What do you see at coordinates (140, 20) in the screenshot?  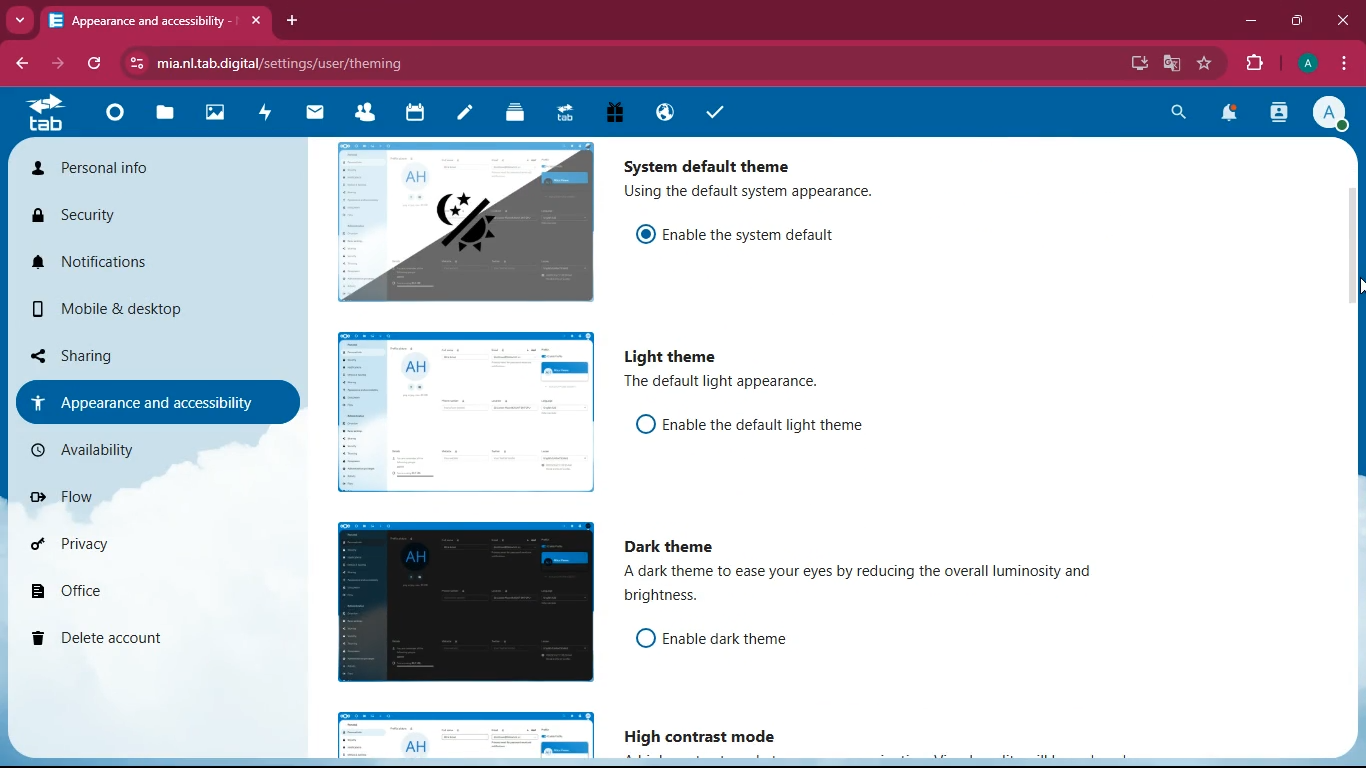 I see `tab` at bounding box center [140, 20].